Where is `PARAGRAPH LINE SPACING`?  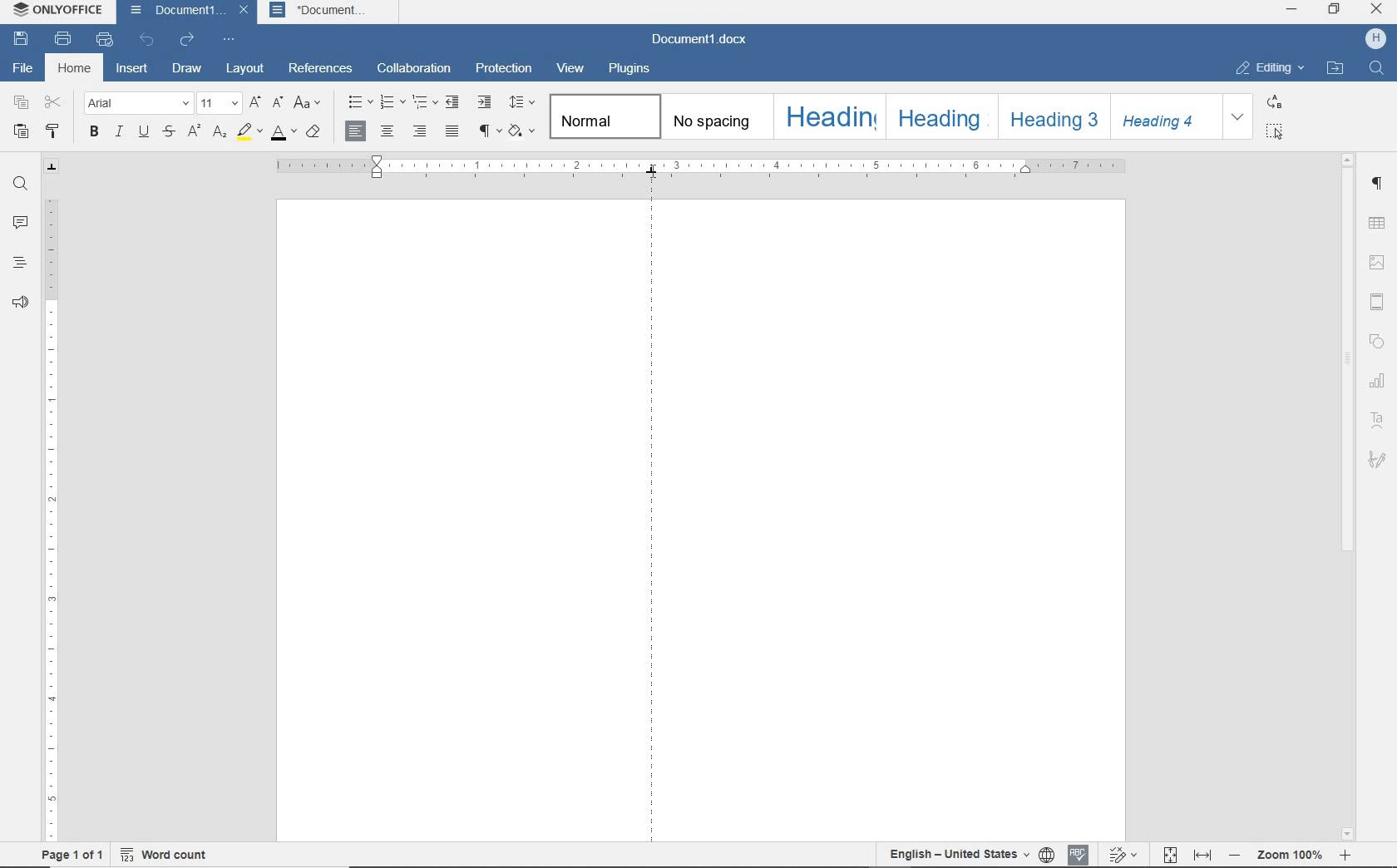
PARAGRAPH LINE SPACING is located at coordinates (521, 103).